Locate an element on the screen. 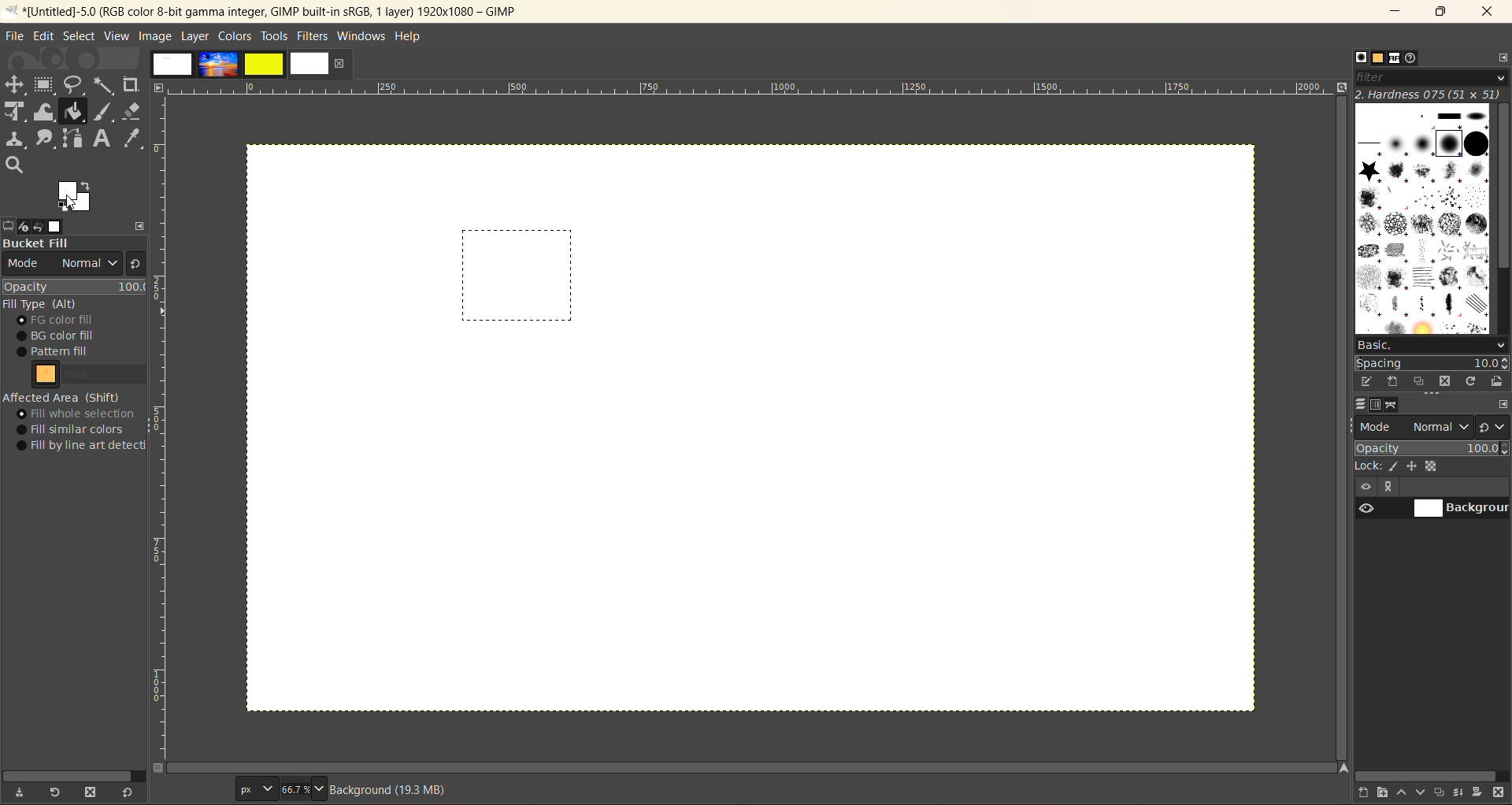  metadata is located at coordinates (396, 789).